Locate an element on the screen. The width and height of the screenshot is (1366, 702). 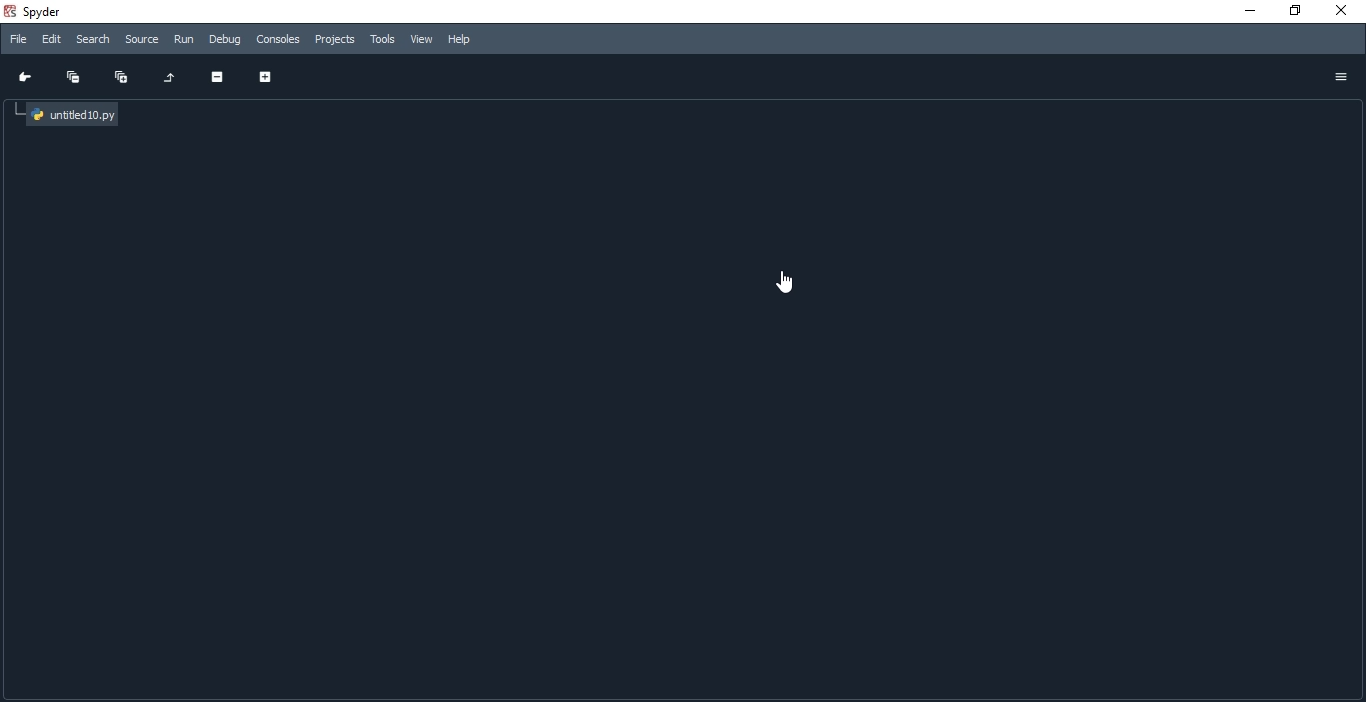
View is located at coordinates (419, 39).